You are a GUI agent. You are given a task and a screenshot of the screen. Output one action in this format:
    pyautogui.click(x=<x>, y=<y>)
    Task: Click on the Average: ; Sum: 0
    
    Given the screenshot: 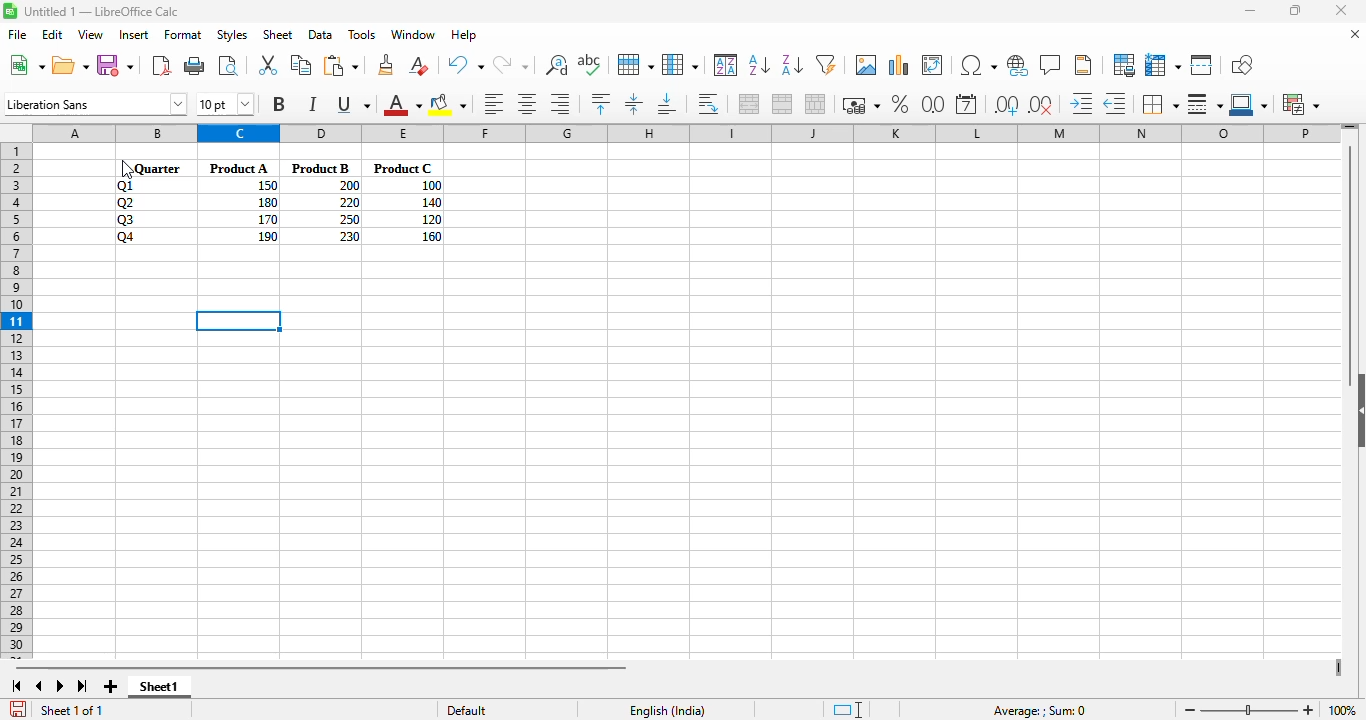 What is the action you would take?
    pyautogui.click(x=1037, y=710)
    